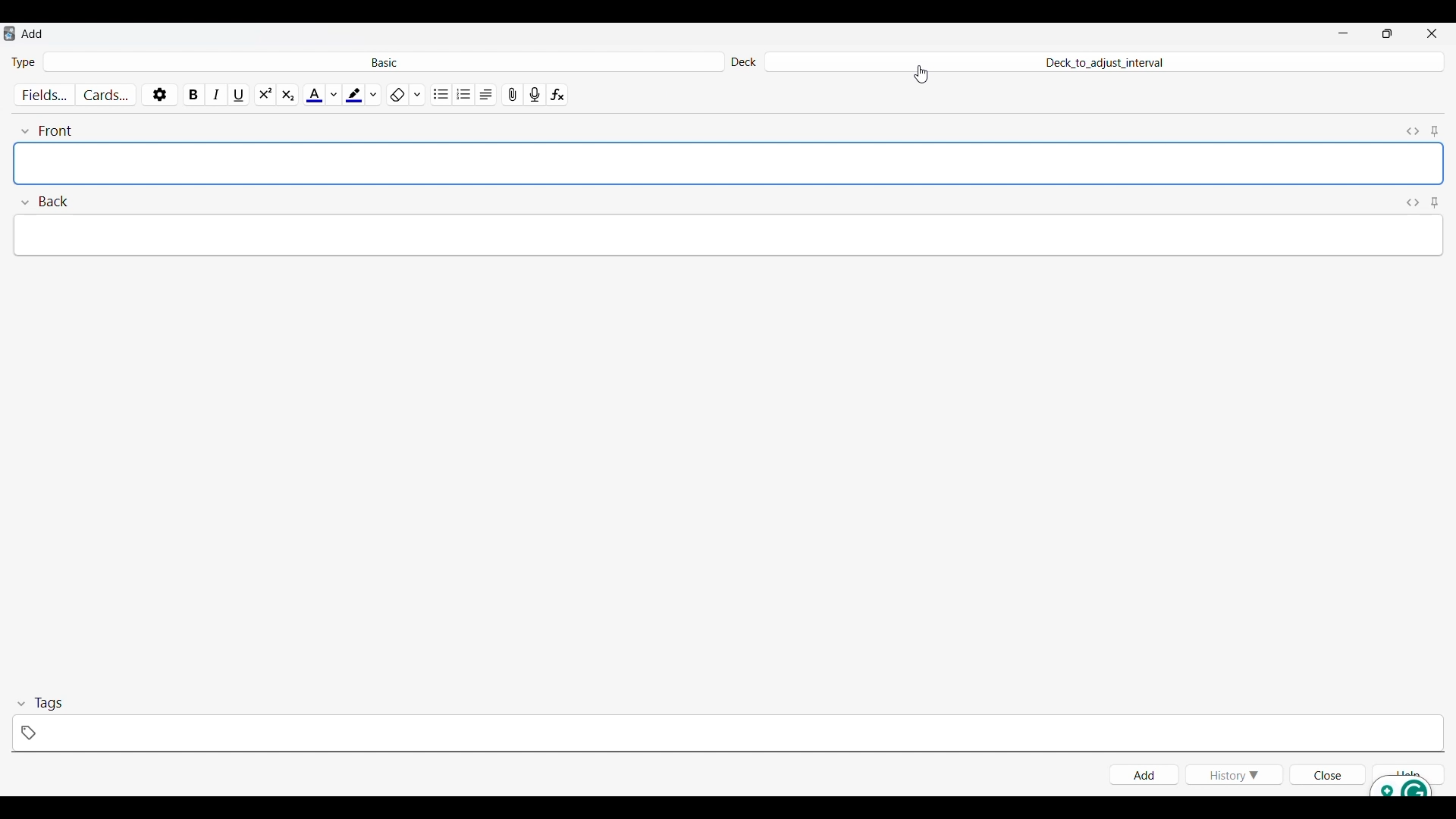 This screenshot has height=819, width=1456. I want to click on Collapse tags, so click(40, 704).